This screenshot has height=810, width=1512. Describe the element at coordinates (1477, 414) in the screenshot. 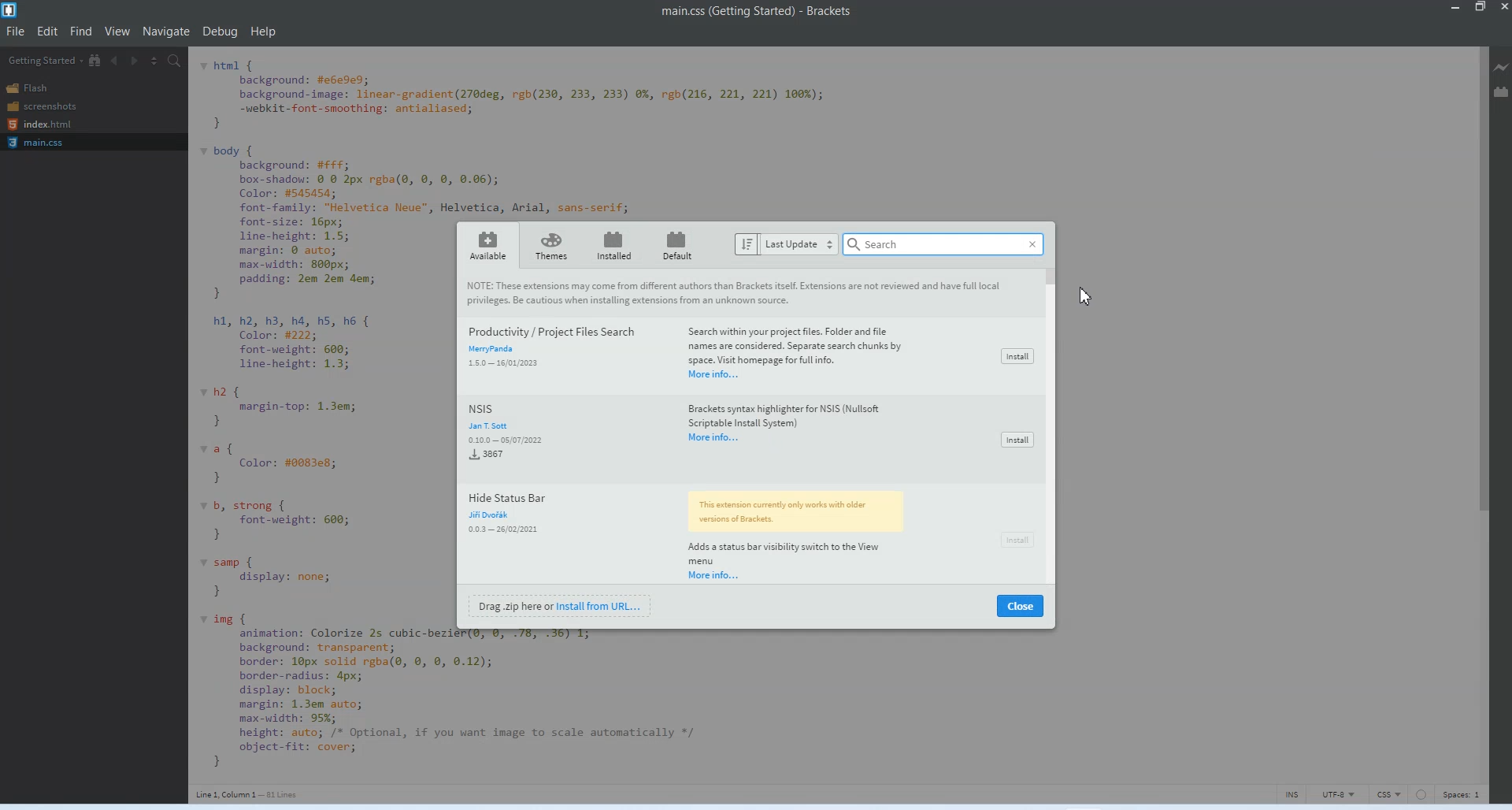

I see `Vertical Scroll bar` at that location.